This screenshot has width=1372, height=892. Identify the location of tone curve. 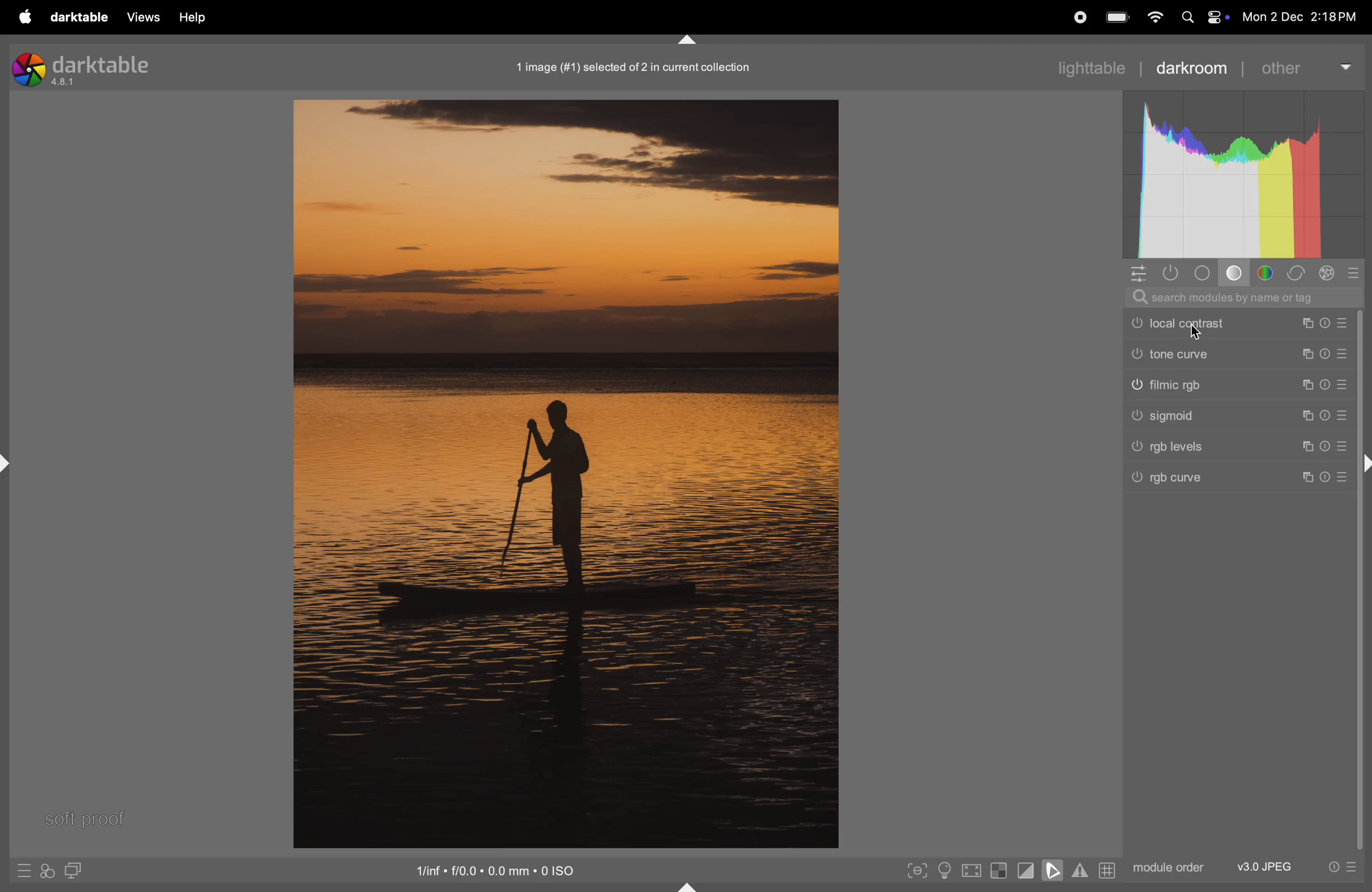
(1238, 354).